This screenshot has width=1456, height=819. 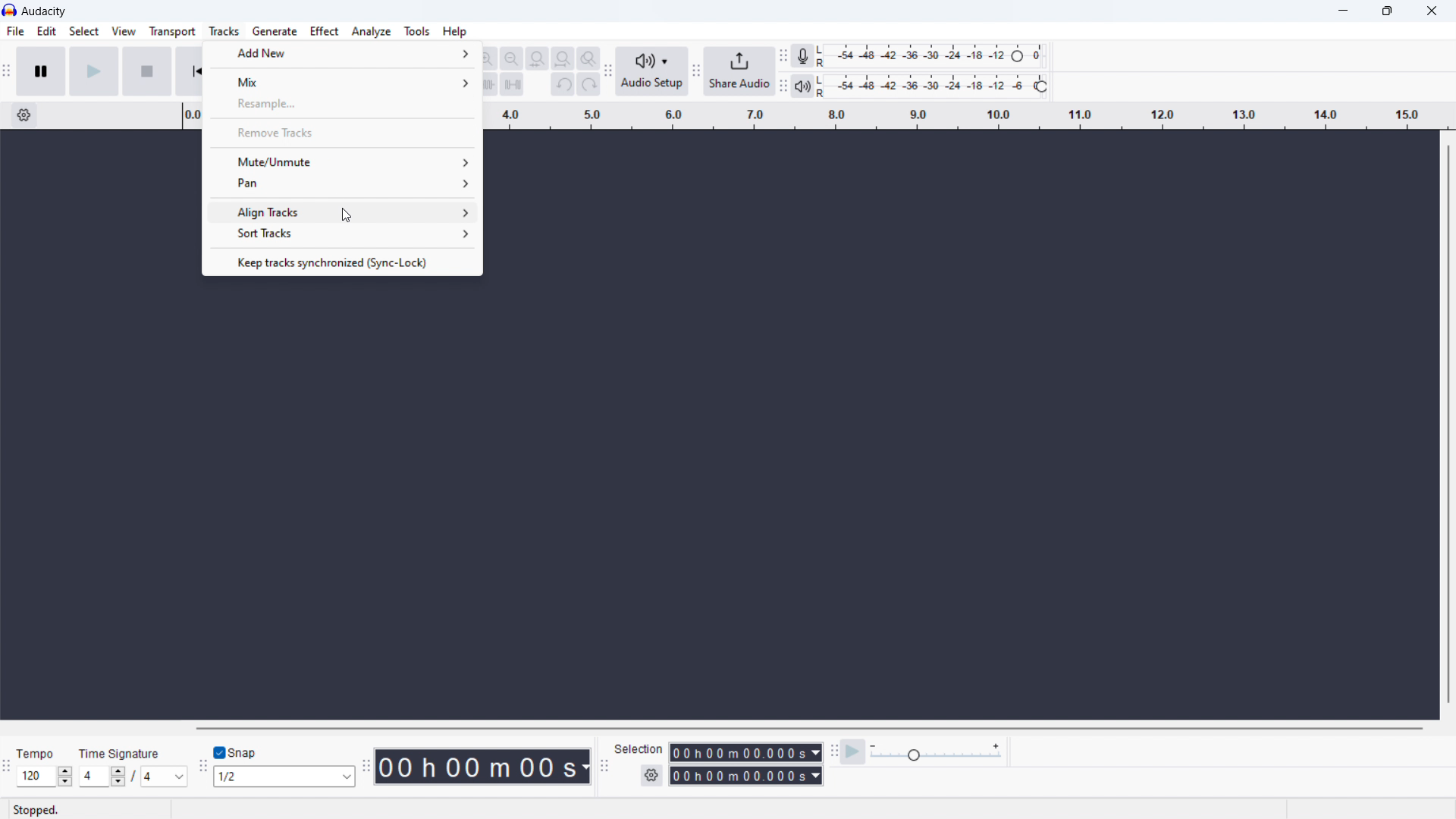 What do you see at coordinates (340, 161) in the screenshot?
I see `mute/unmute` at bounding box center [340, 161].